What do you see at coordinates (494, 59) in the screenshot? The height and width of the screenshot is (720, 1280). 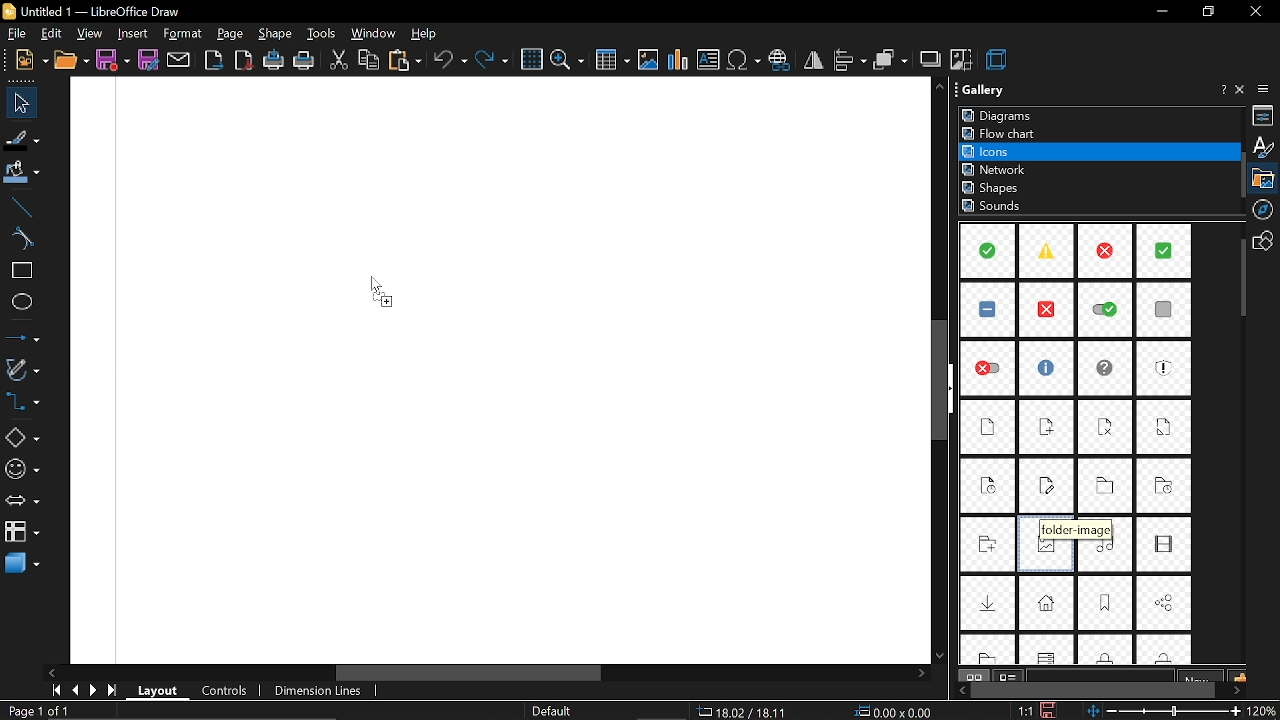 I see `redo` at bounding box center [494, 59].